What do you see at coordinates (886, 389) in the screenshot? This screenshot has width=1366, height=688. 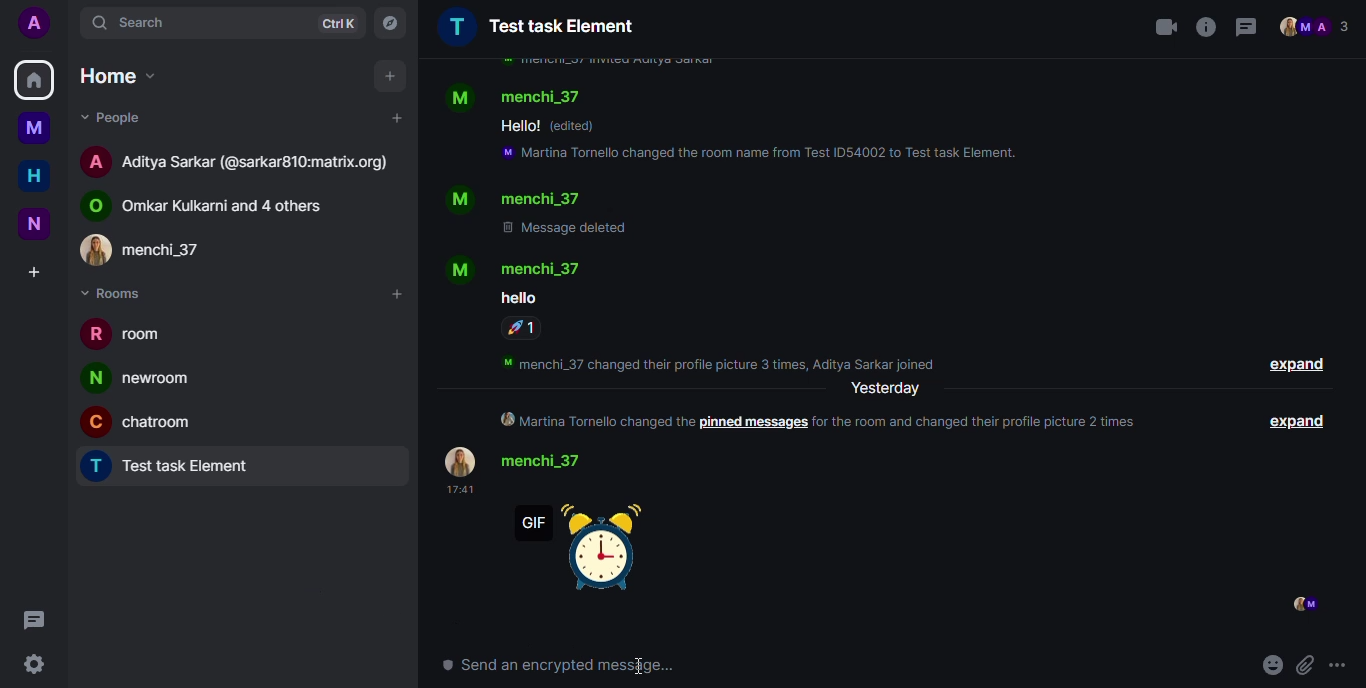 I see `yesterday` at bounding box center [886, 389].